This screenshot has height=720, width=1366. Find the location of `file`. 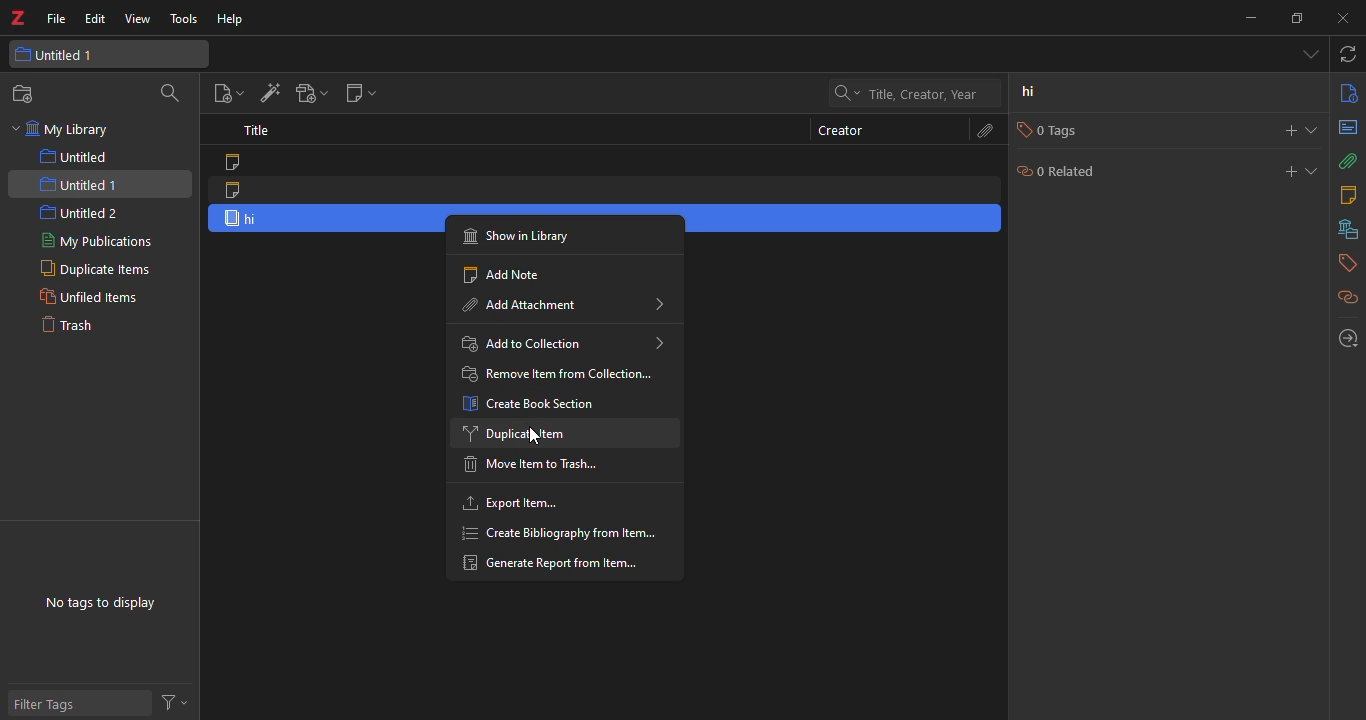

file is located at coordinates (55, 19).